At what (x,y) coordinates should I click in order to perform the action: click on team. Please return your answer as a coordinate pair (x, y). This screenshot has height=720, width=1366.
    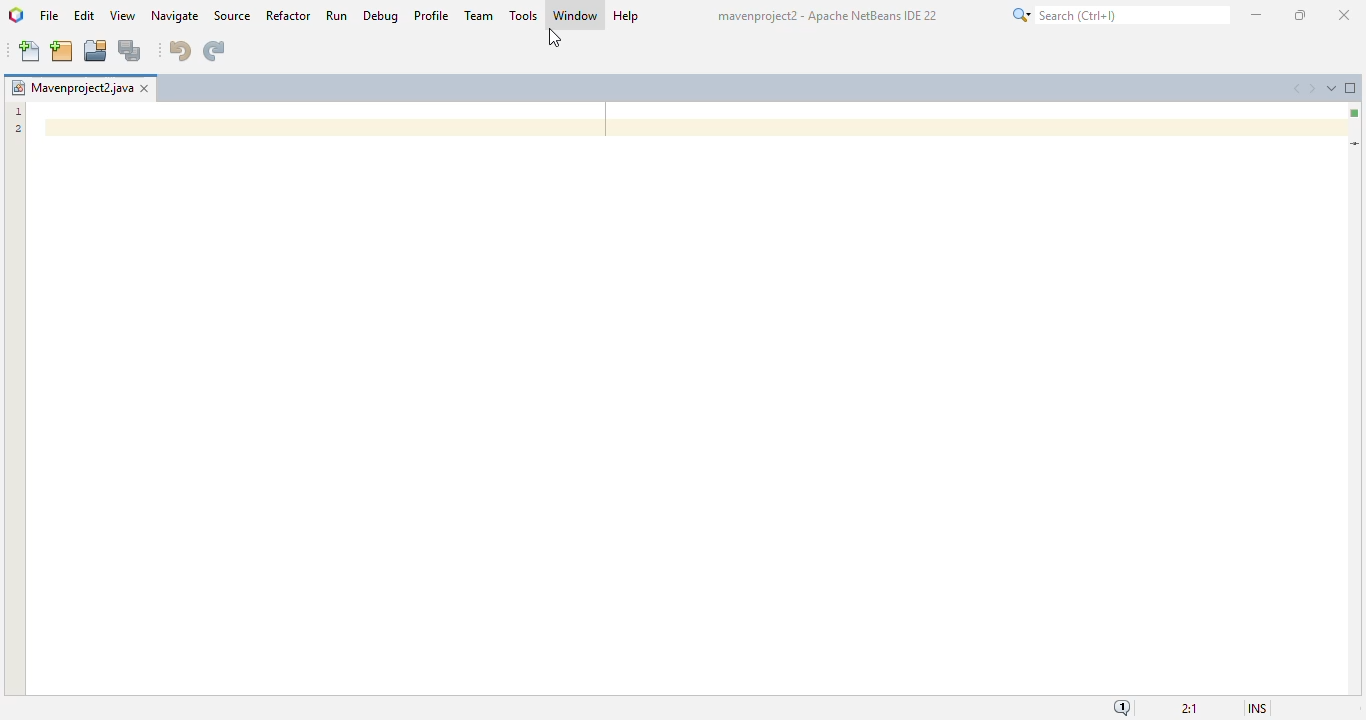
    Looking at the image, I should click on (479, 15).